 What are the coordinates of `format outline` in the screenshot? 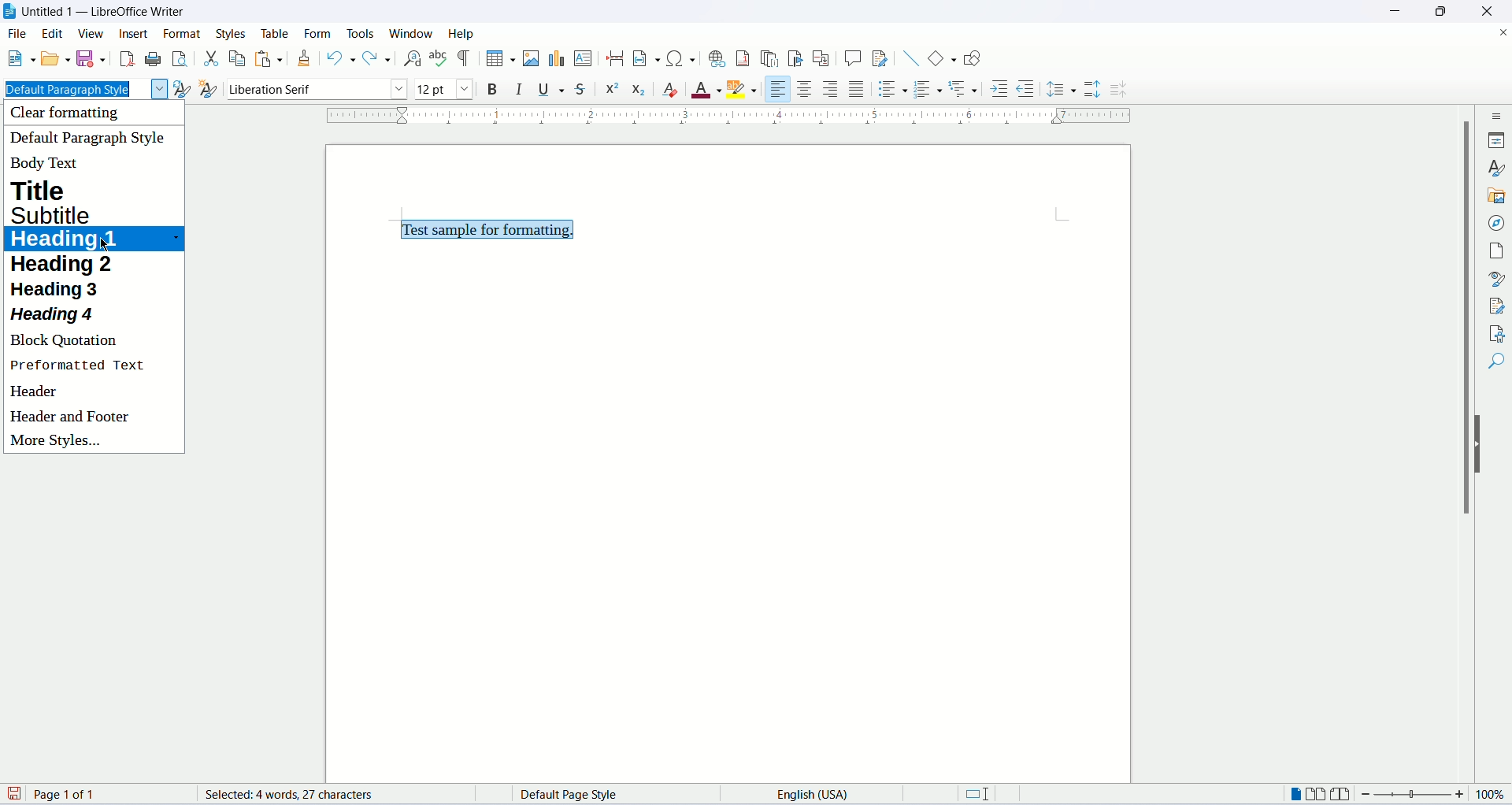 It's located at (966, 91).